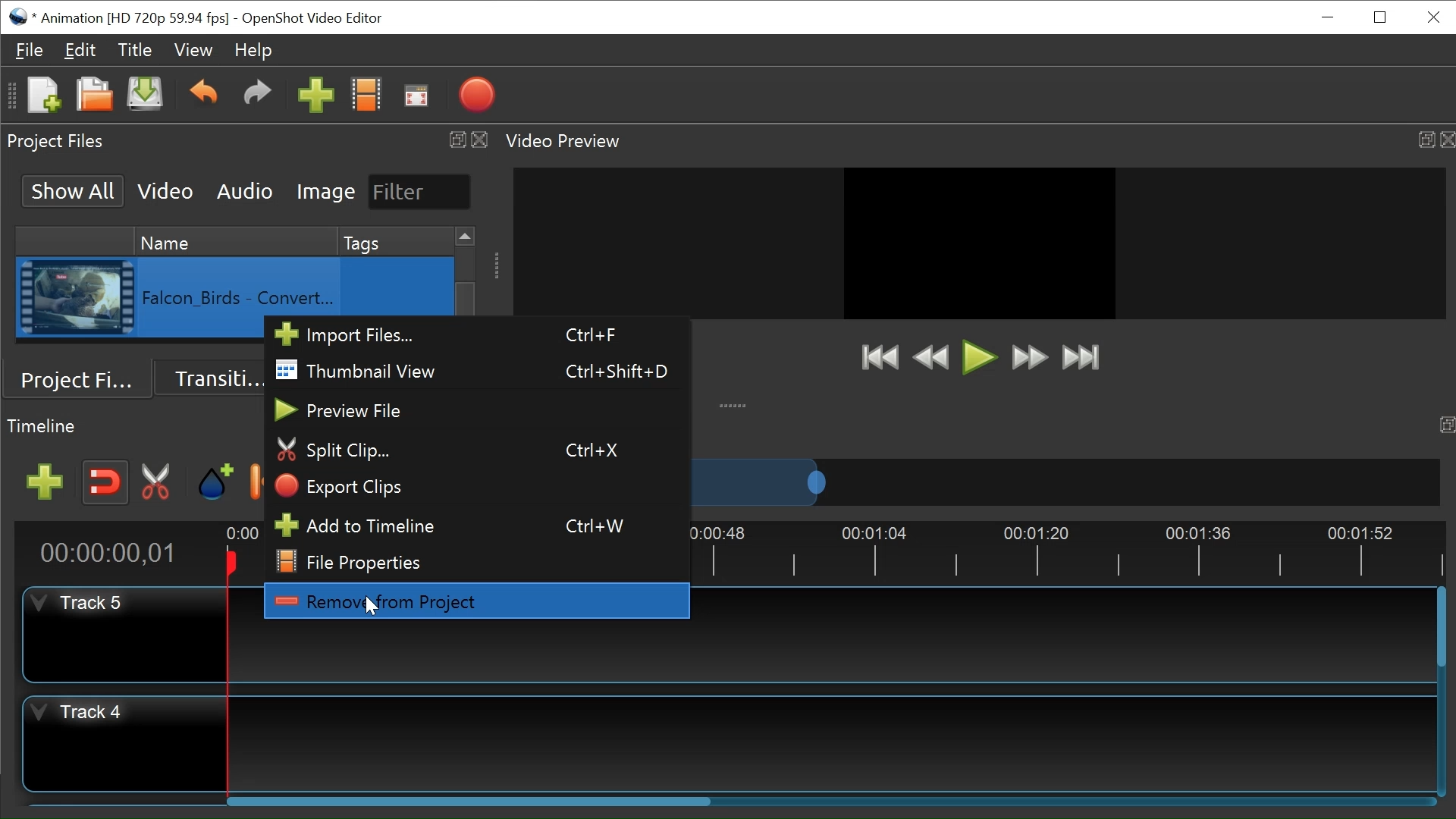  What do you see at coordinates (1431, 17) in the screenshot?
I see `Close` at bounding box center [1431, 17].